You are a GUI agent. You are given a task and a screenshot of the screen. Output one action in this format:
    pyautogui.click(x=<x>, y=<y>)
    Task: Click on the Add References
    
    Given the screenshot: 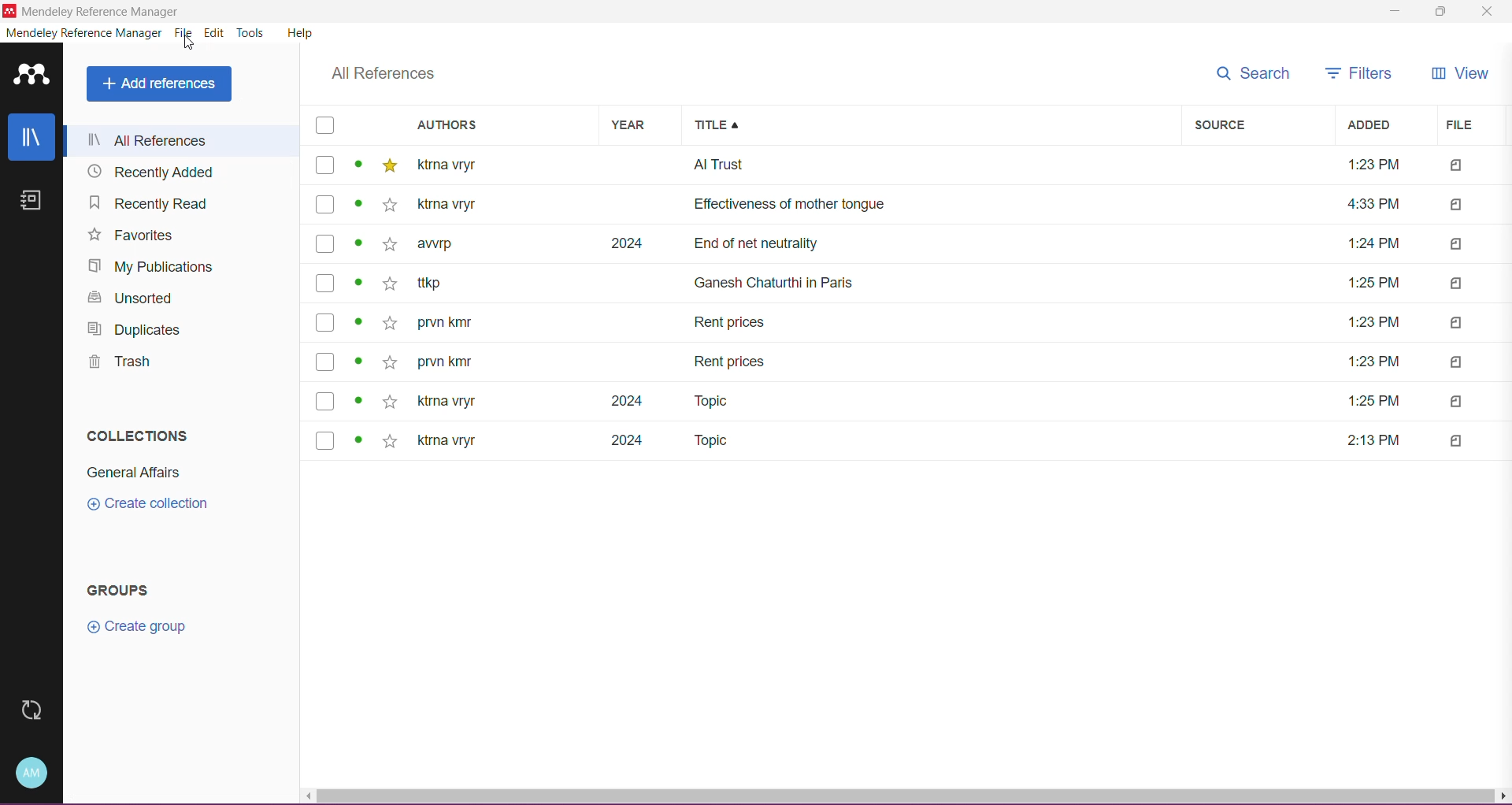 What is the action you would take?
    pyautogui.click(x=159, y=84)
    